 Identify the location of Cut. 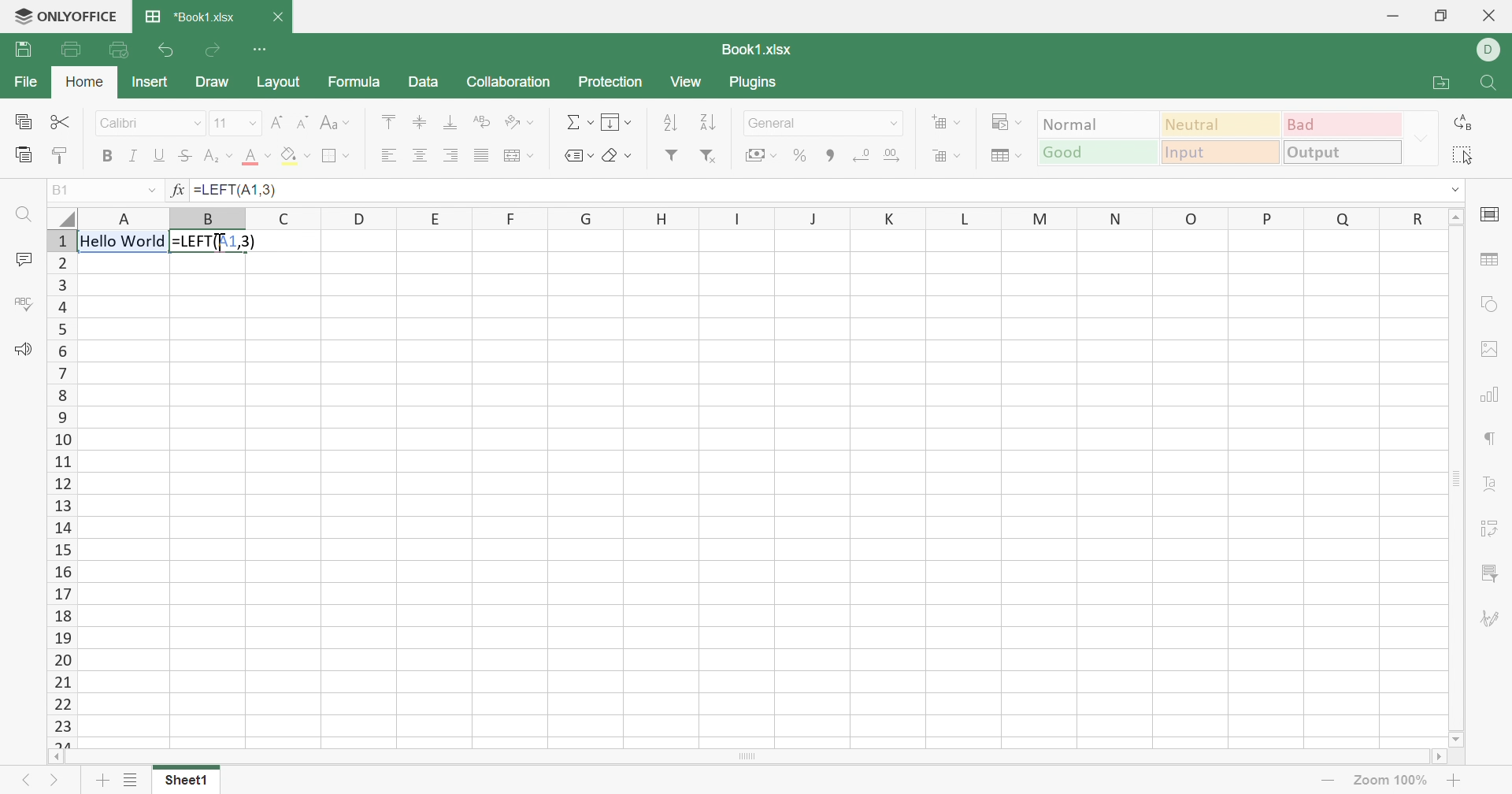
(59, 121).